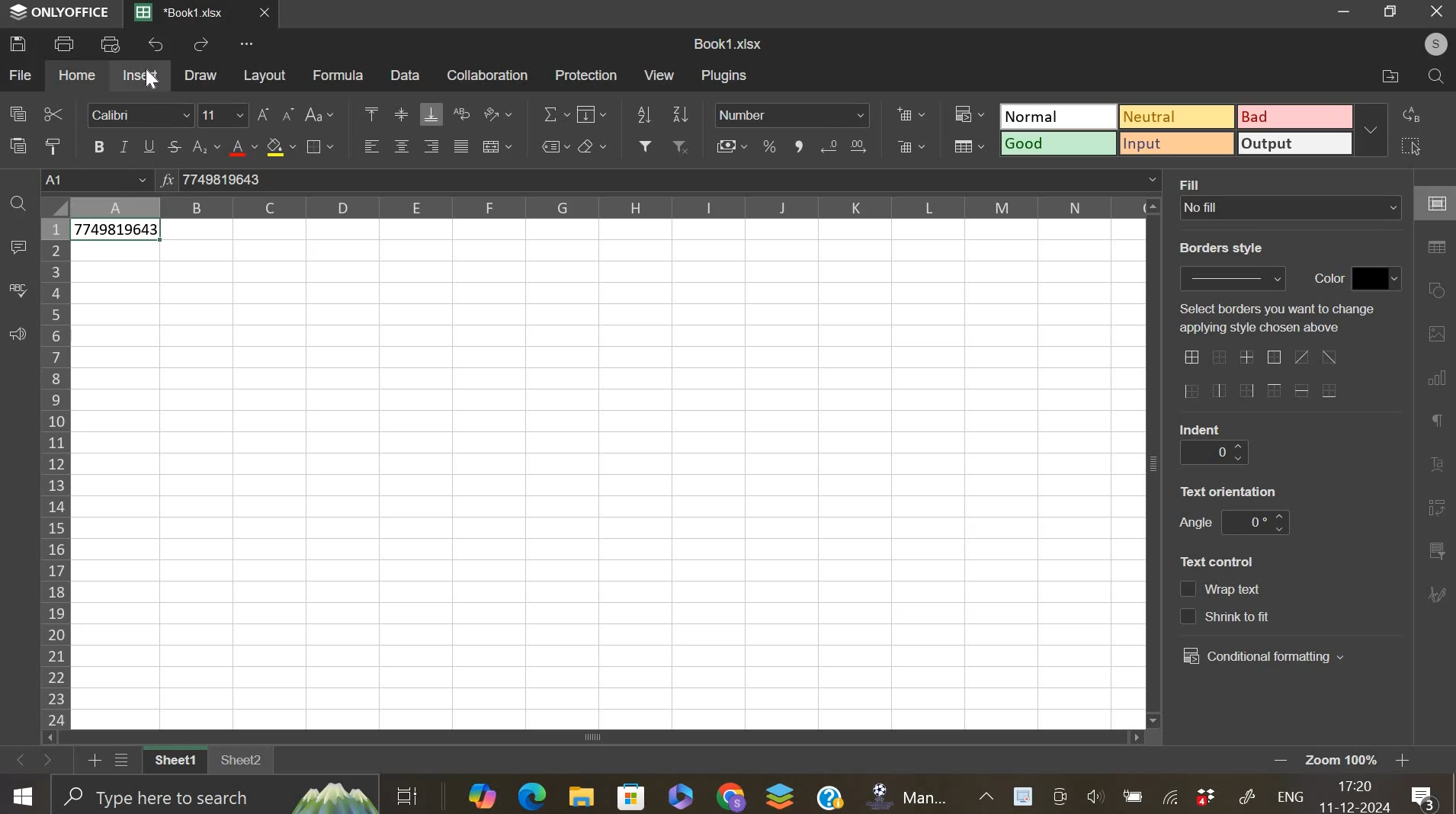 The image size is (1456, 814). Describe the element at coordinates (1390, 76) in the screenshot. I see `files` at that location.